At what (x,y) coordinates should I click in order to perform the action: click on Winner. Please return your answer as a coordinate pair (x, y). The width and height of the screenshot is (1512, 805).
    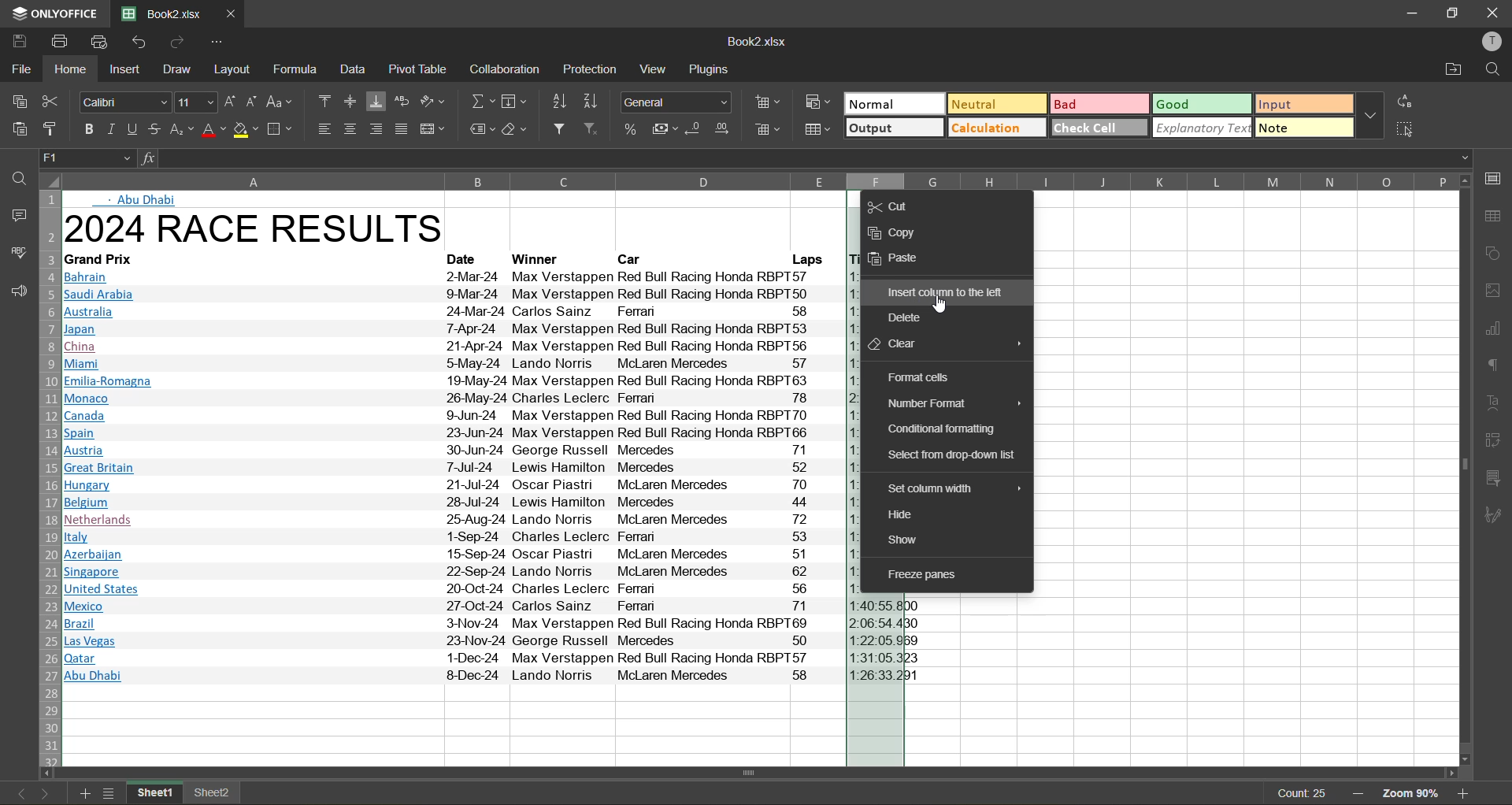
    Looking at the image, I should click on (540, 258).